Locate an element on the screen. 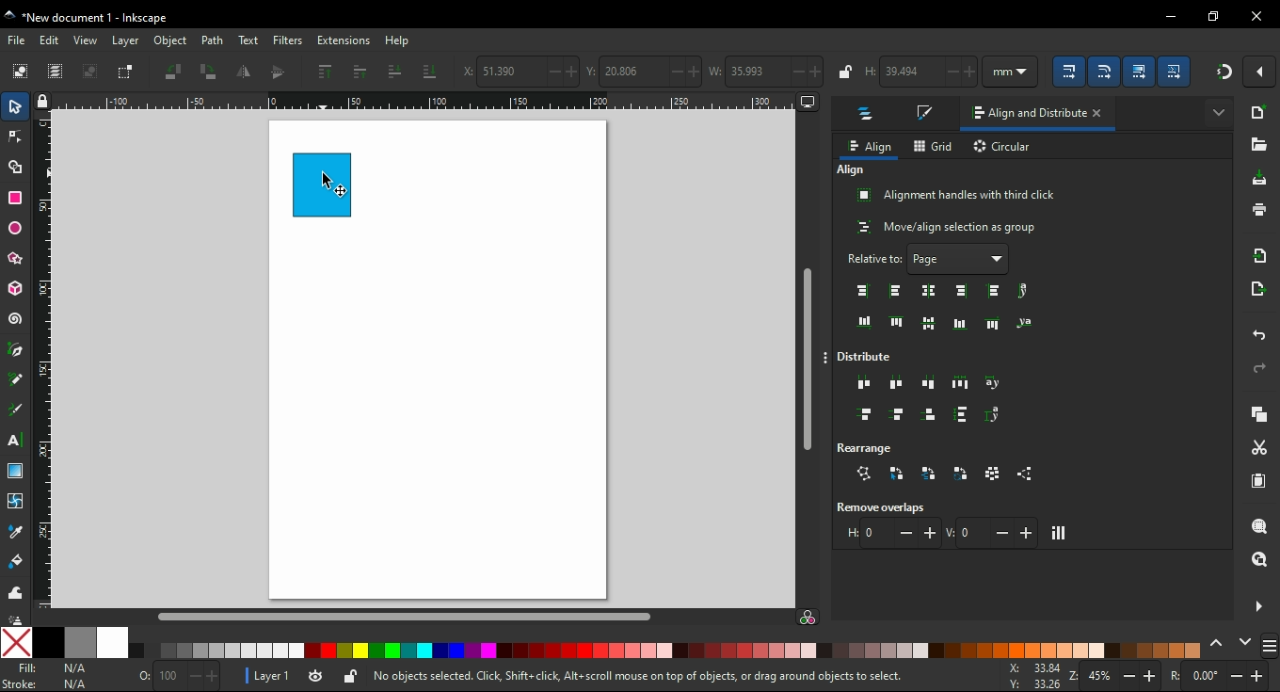 The image size is (1280, 692). color options is located at coordinates (1270, 647).